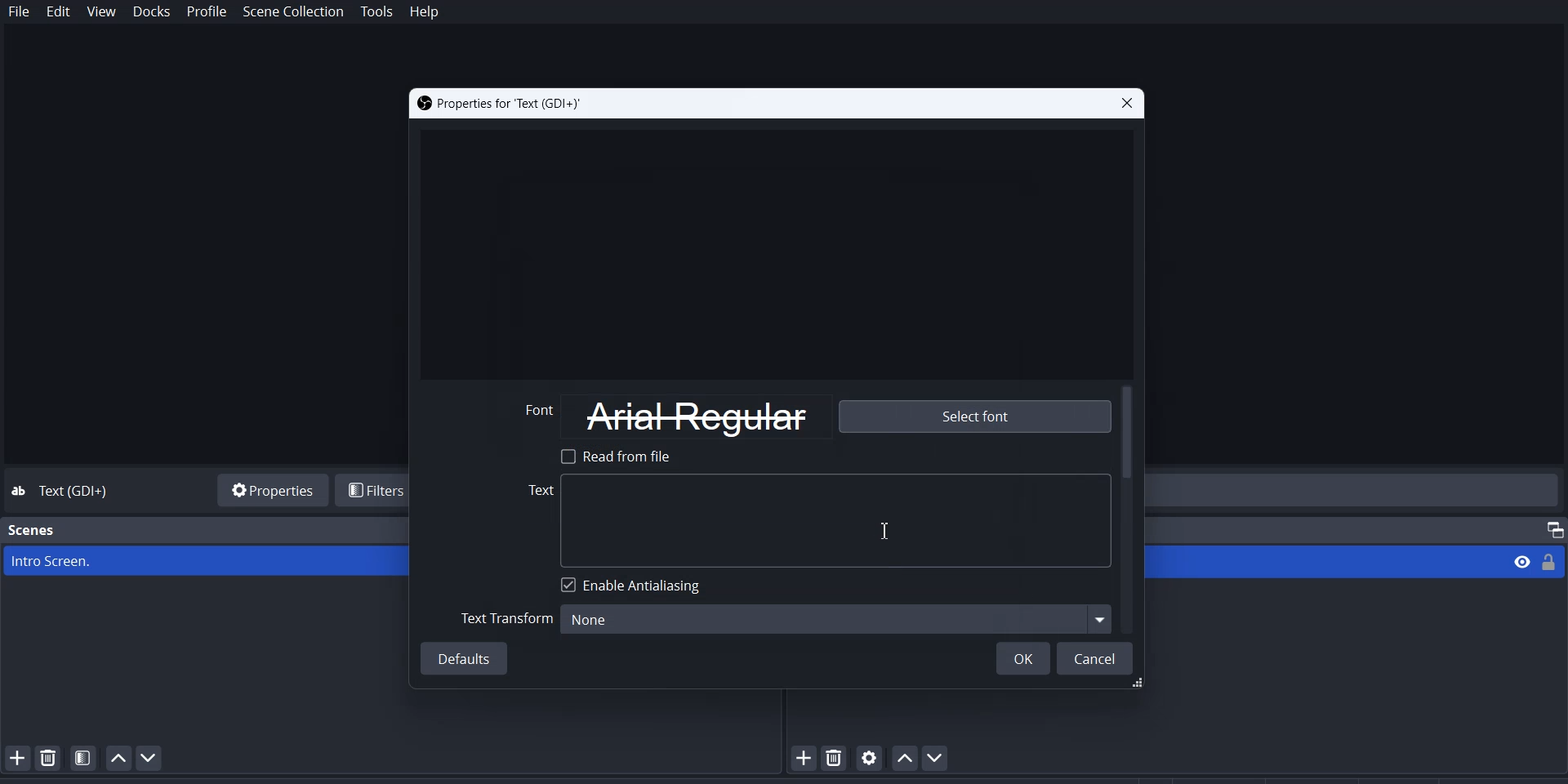  What do you see at coordinates (377, 12) in the screenshot?
I see `Tools` at bounding box center [377, 12].